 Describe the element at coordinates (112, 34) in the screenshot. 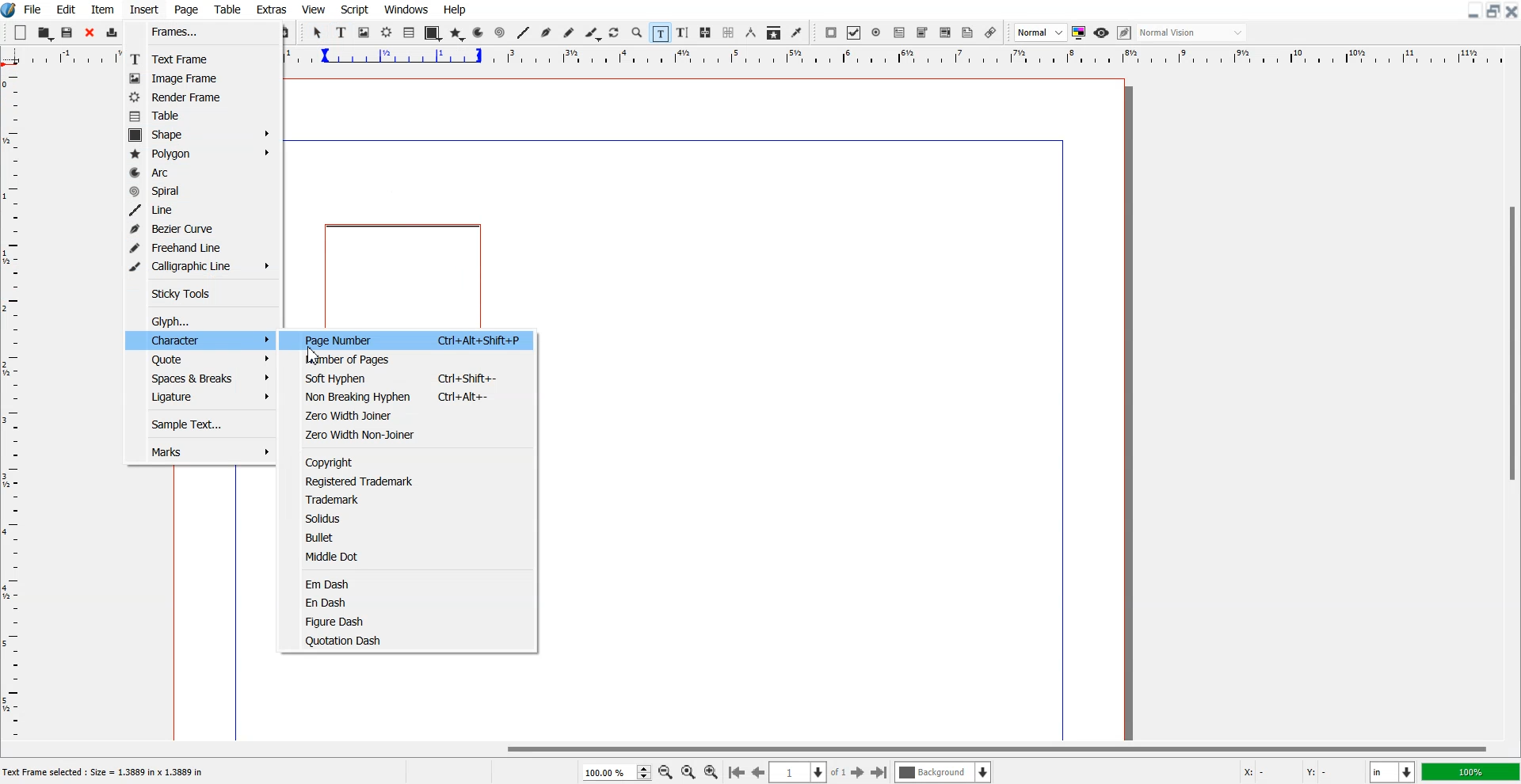

I see `Print` at that location.